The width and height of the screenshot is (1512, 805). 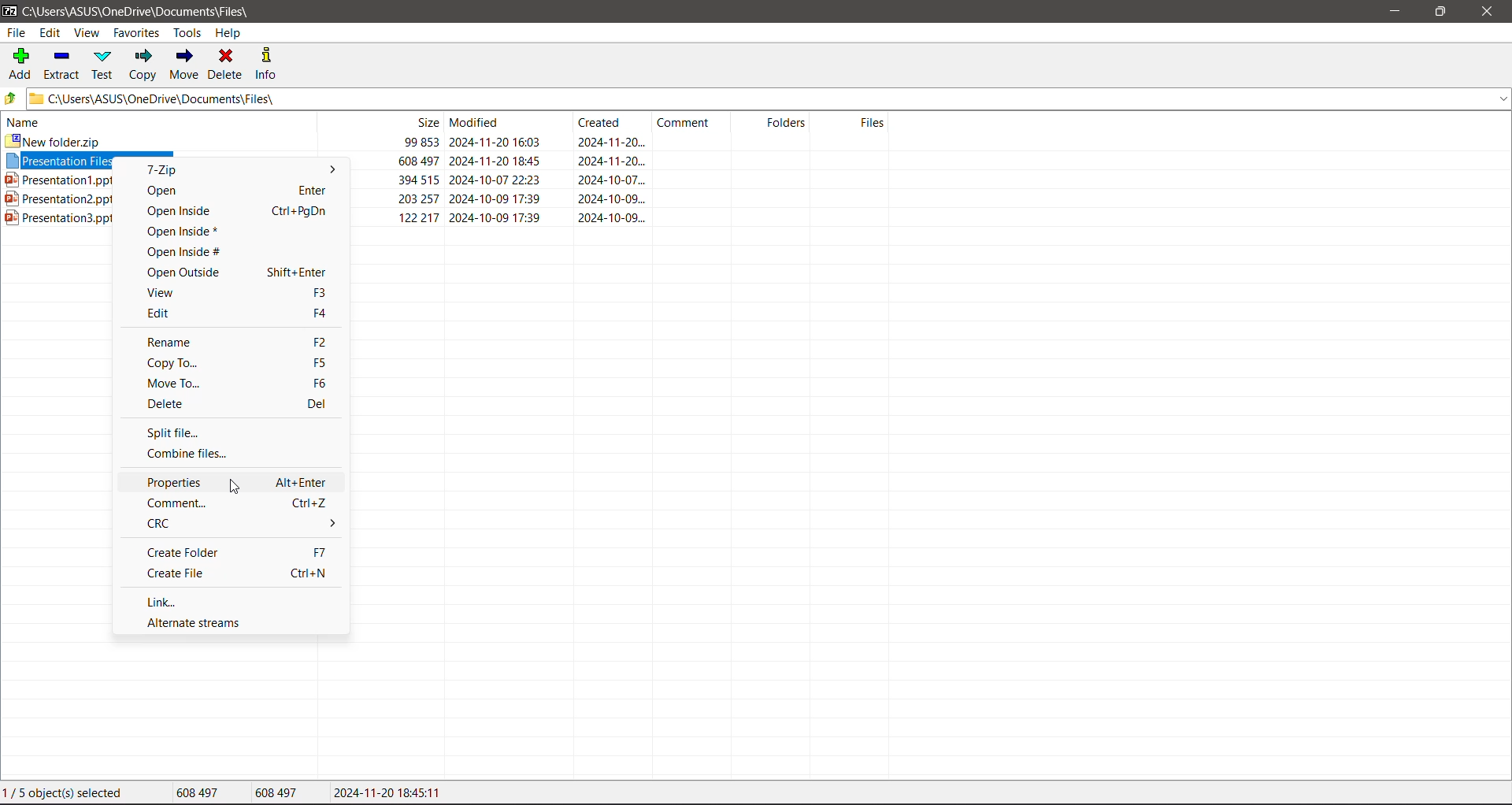 I want to click on More options, so click(x=332, y=169).